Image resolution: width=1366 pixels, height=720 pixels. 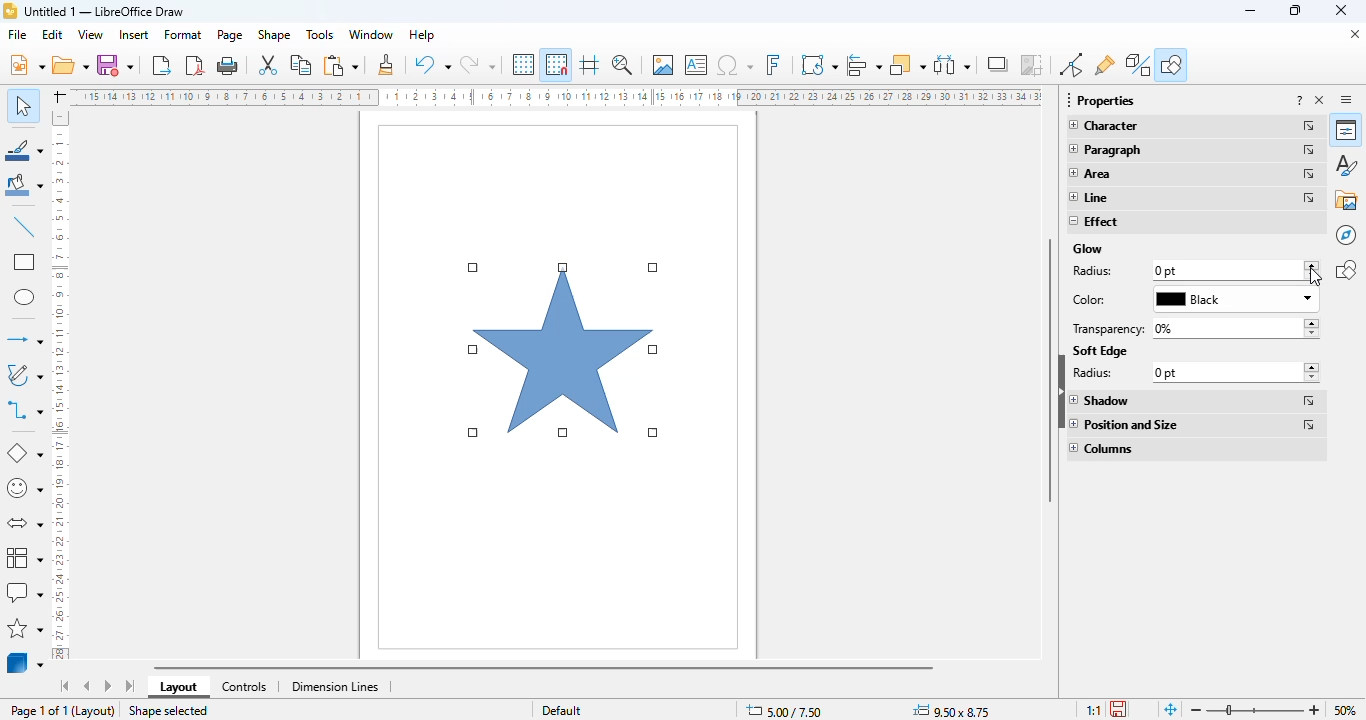 I want to click on insert fontwork text, so click(x=773, y=64).